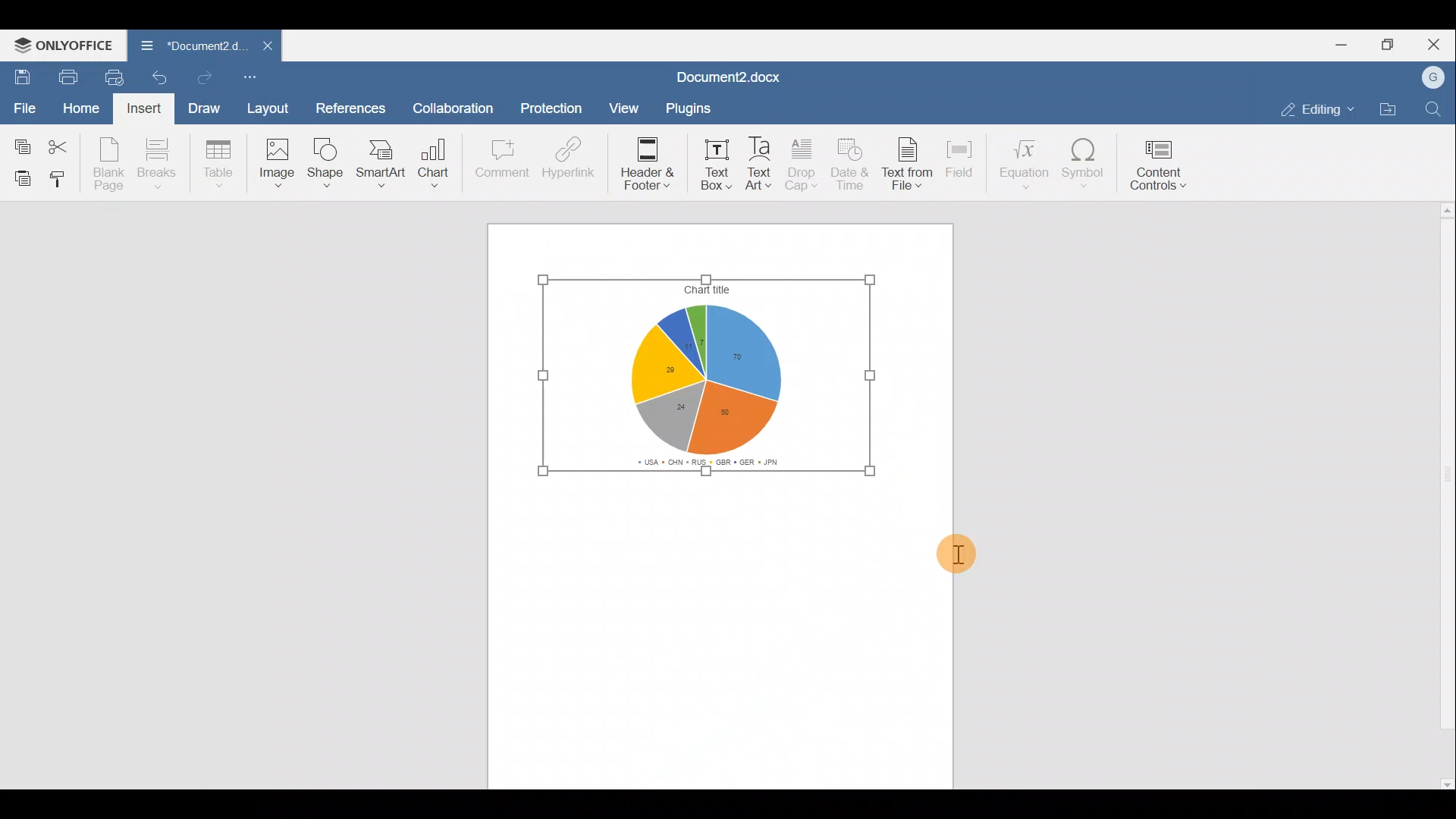  What do you see at coordinates (379, 162) in the screenshot?
I see `SmartArt` at bounding box center [379, 162].